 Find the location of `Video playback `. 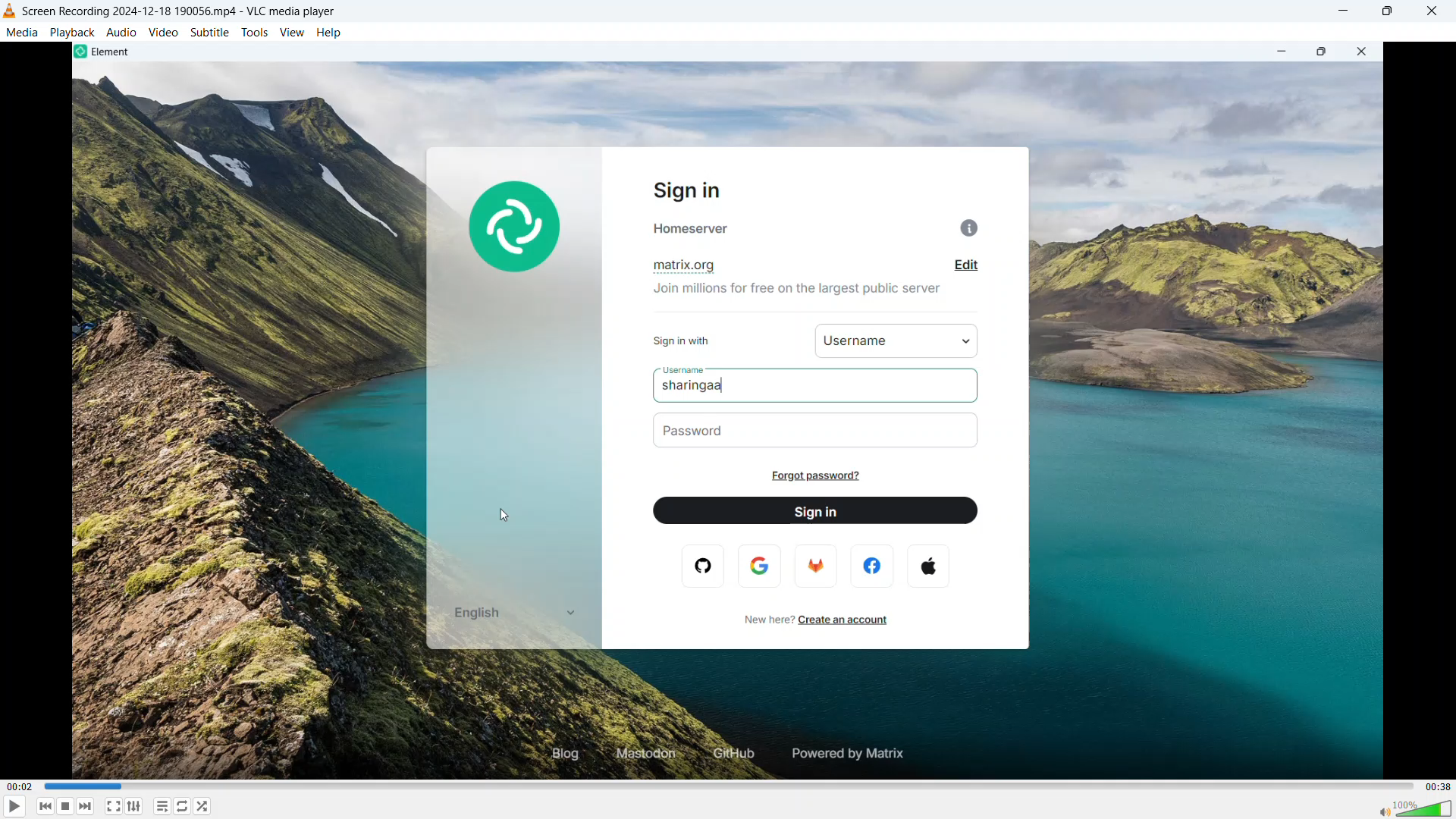

Video playback  is located at coordinates (727, 410).